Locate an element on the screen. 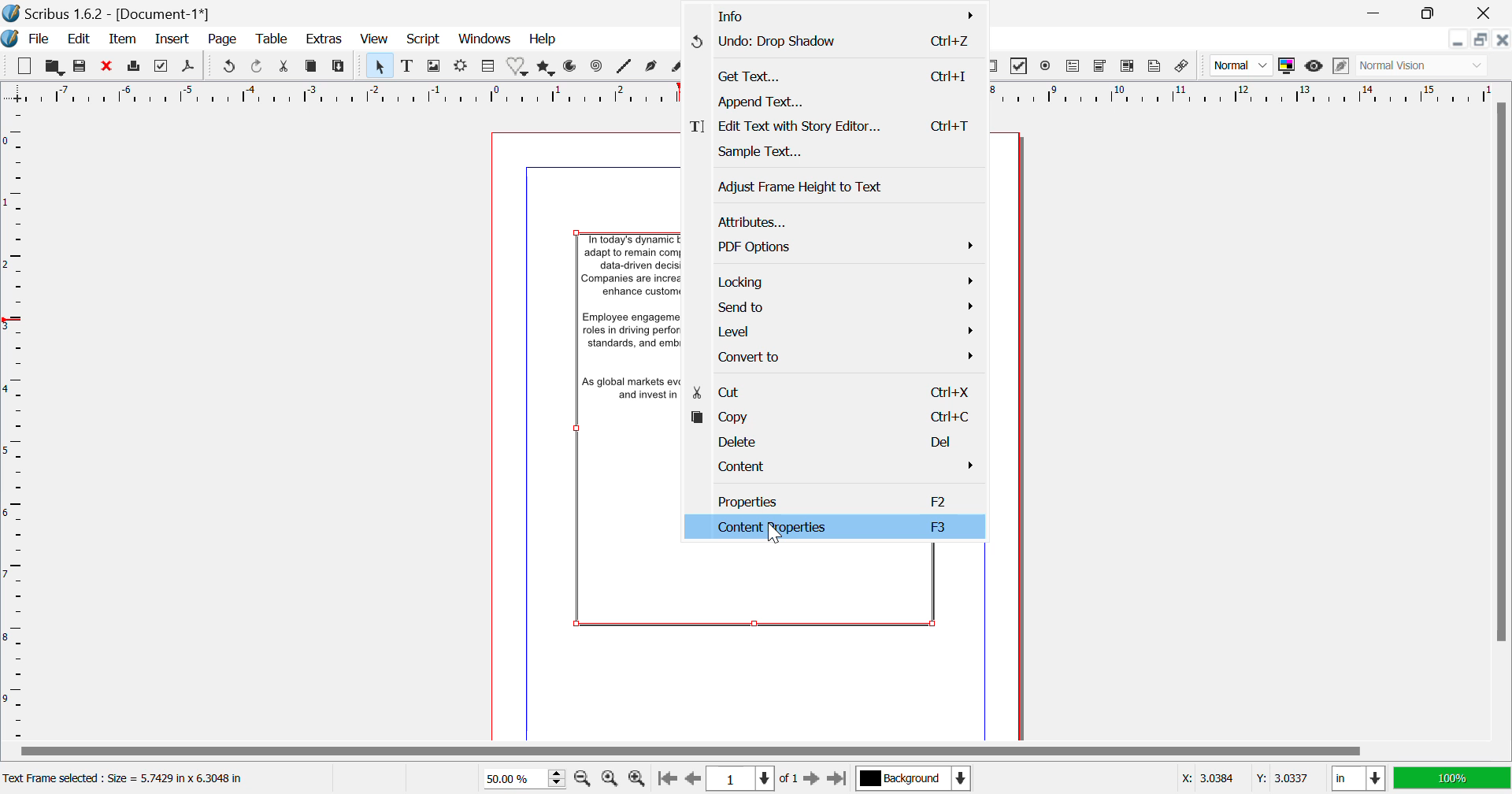 This screenshot has height=794, width=1512. Get Text is located at coordinates (828, 76).